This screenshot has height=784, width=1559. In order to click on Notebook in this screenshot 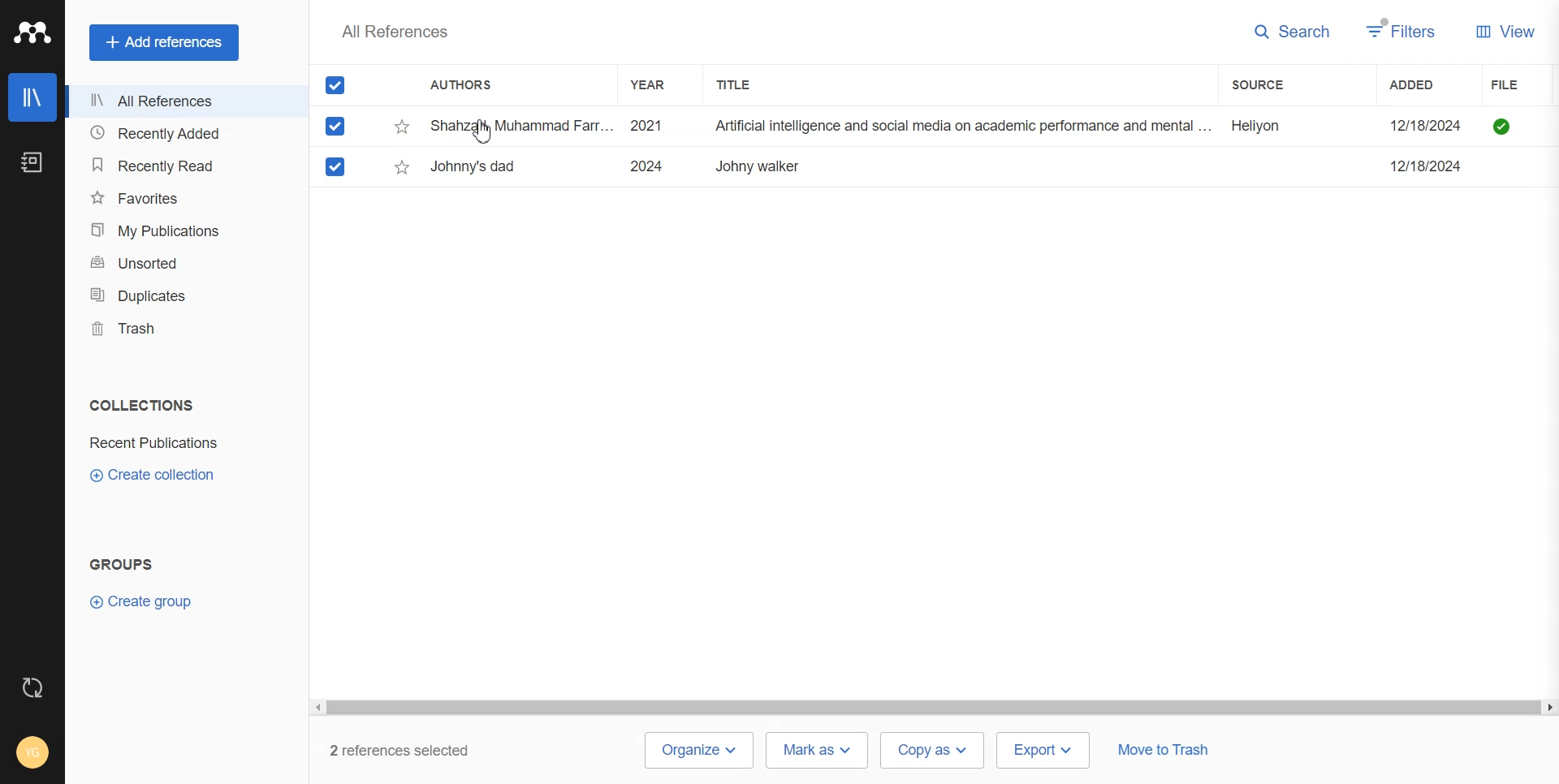, I will do `click(32, 162)`.